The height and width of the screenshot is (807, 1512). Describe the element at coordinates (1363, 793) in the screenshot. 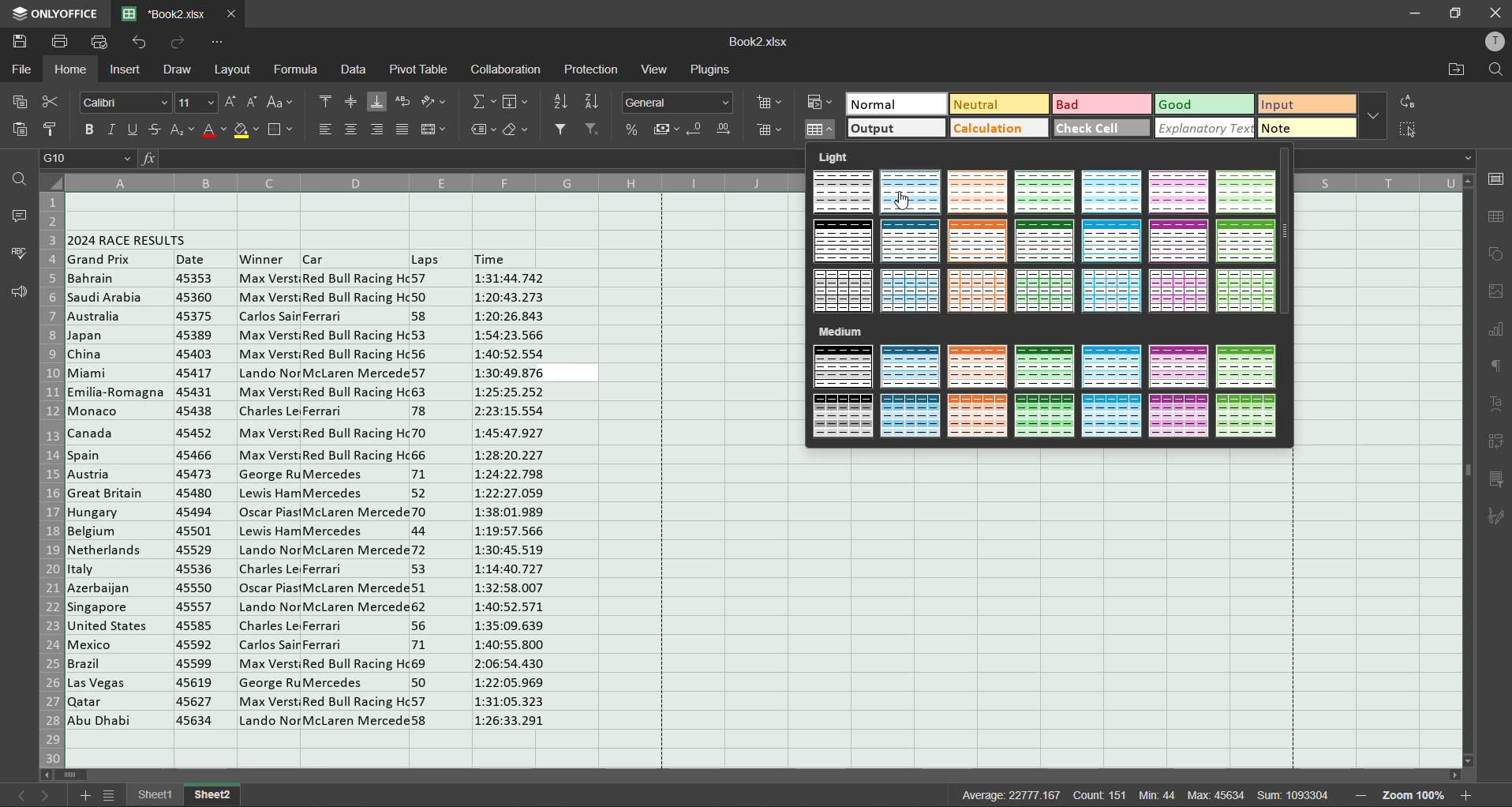

I see `zoom out` at that location.